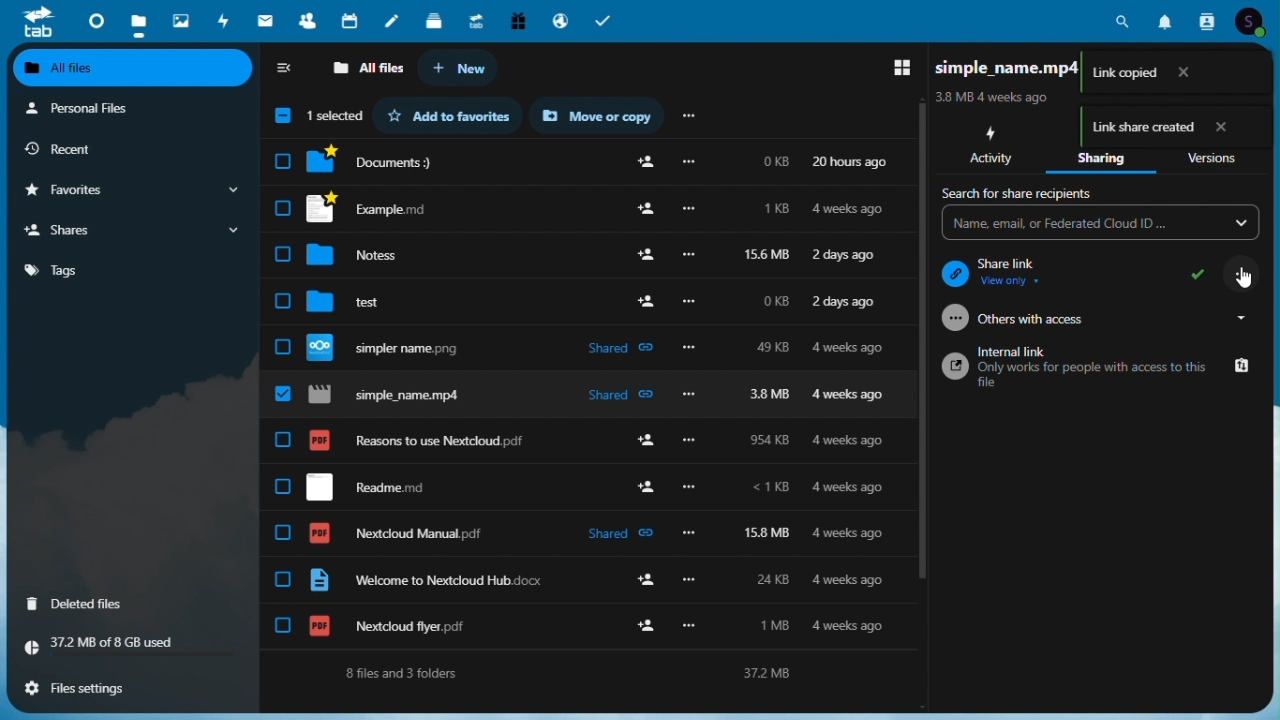  I want to click on more options, so click(687, 117).